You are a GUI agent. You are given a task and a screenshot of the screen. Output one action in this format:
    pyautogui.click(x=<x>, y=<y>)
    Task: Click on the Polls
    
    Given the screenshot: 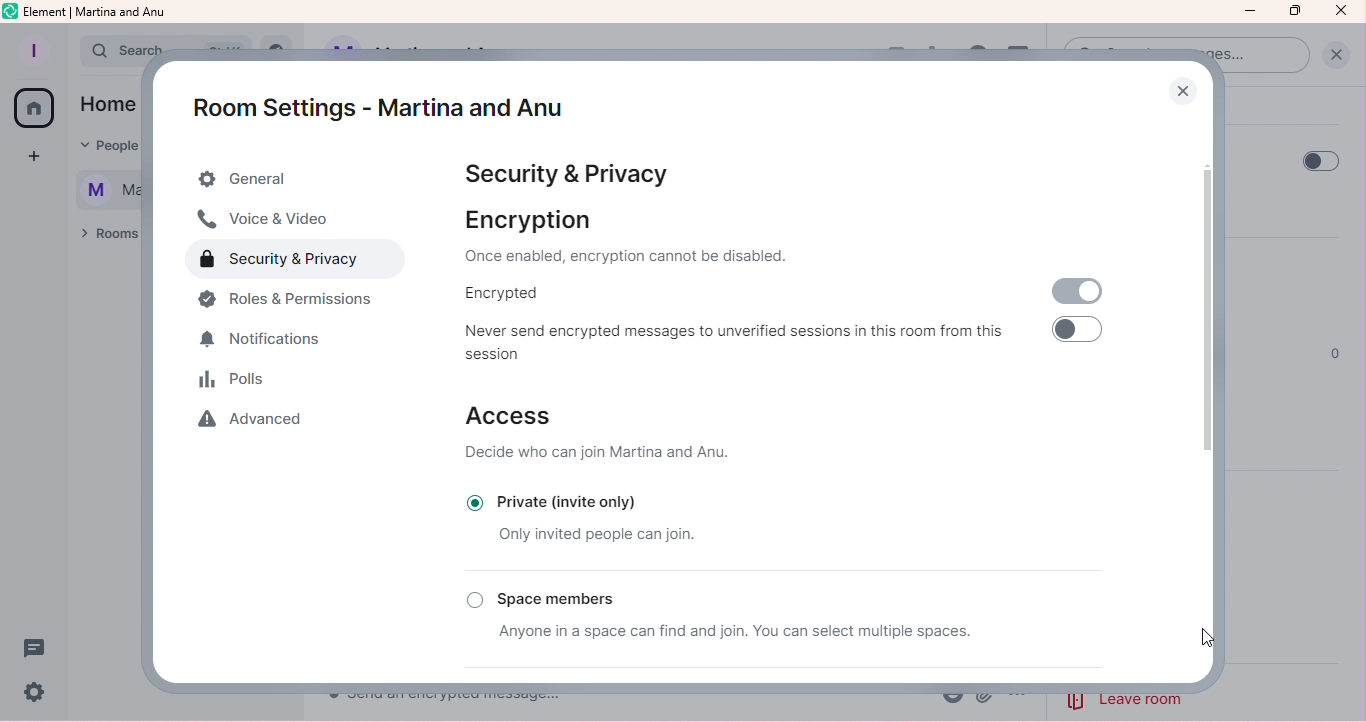 What is the action you would take?
    pyautogui.click(x=243, y=381)
    